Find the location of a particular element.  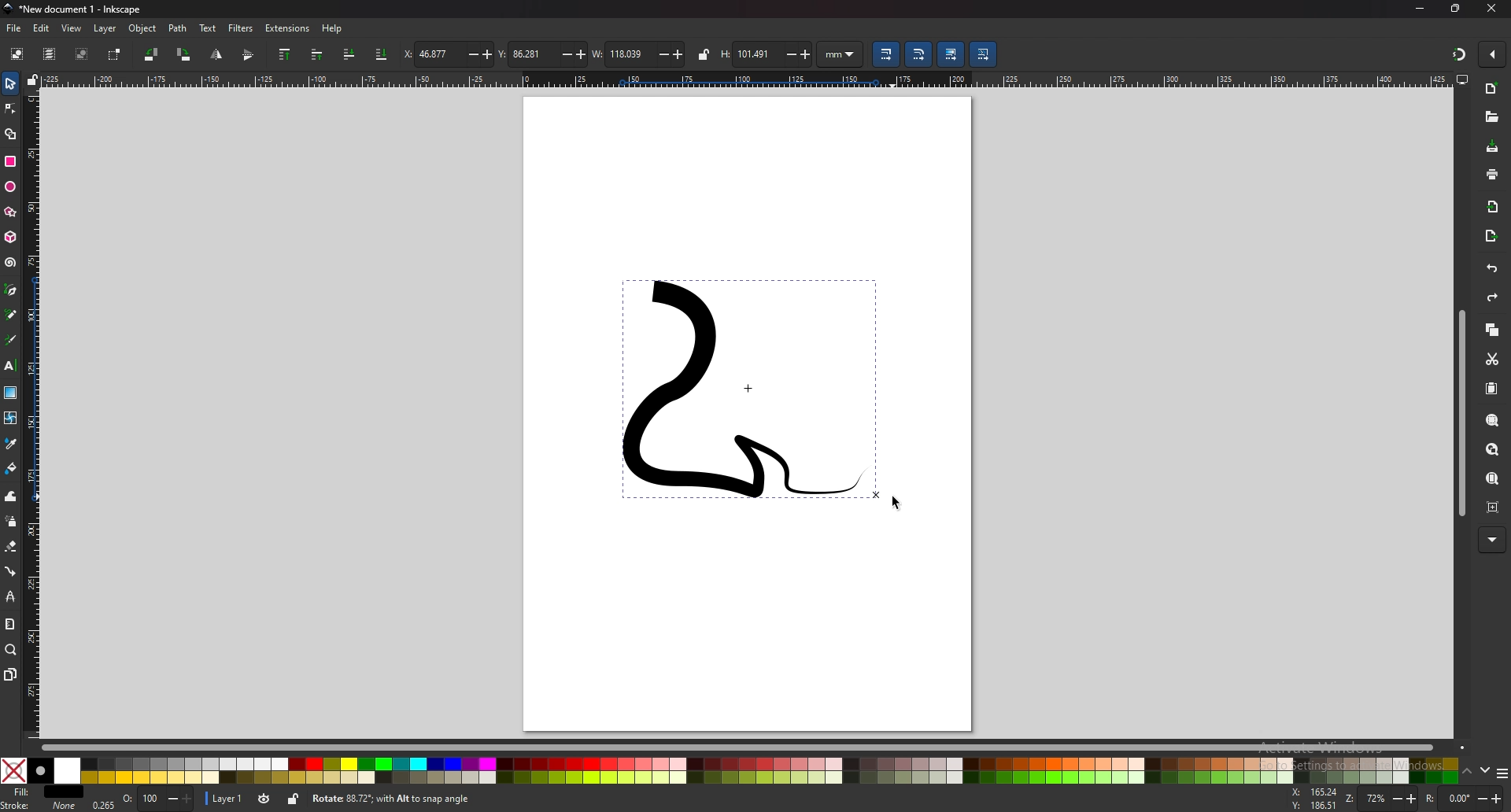

scroll bar is located at coordinates (1461, 413).